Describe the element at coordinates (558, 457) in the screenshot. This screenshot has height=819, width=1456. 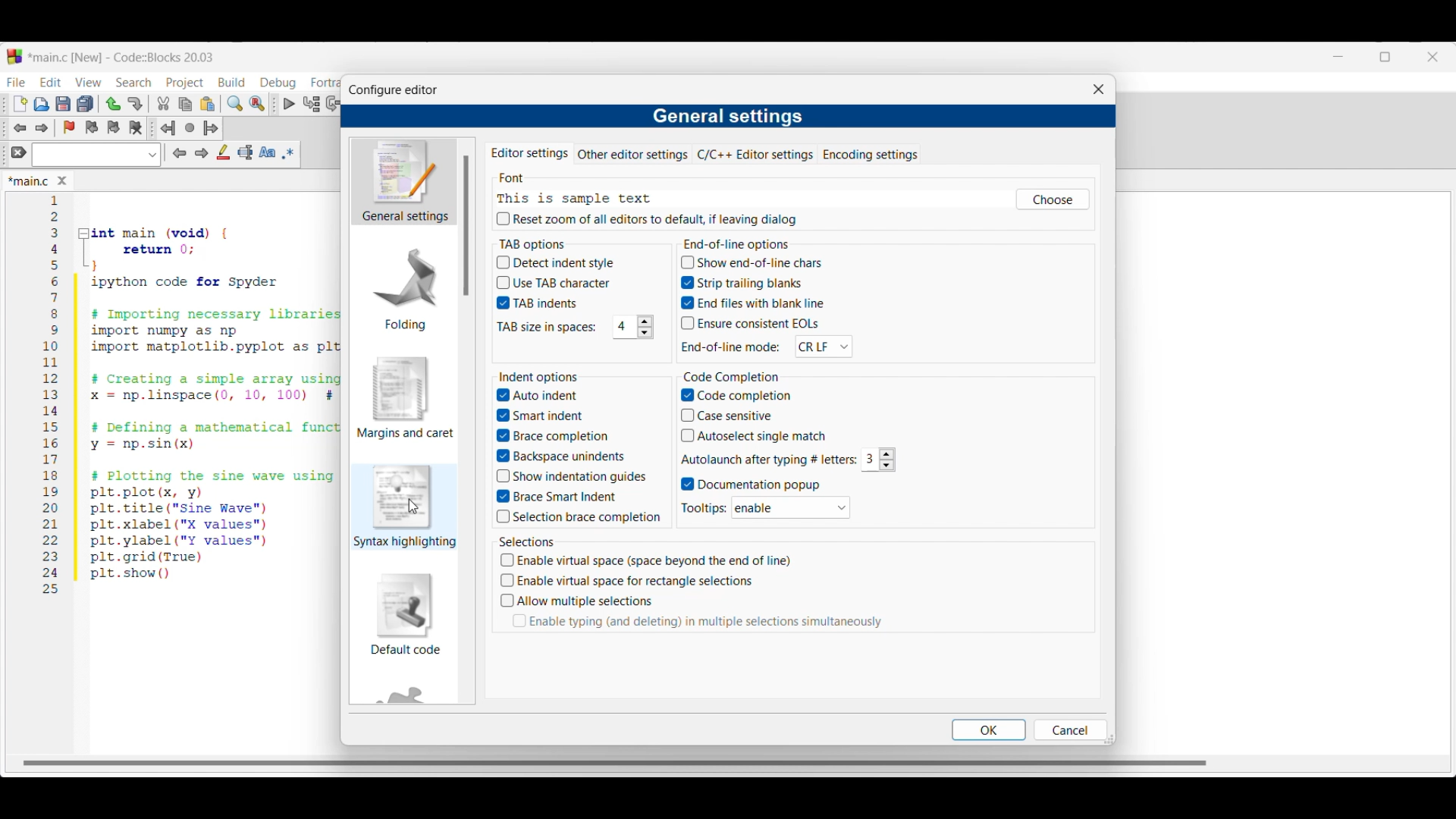
I see `Backspace unindents` at that location.